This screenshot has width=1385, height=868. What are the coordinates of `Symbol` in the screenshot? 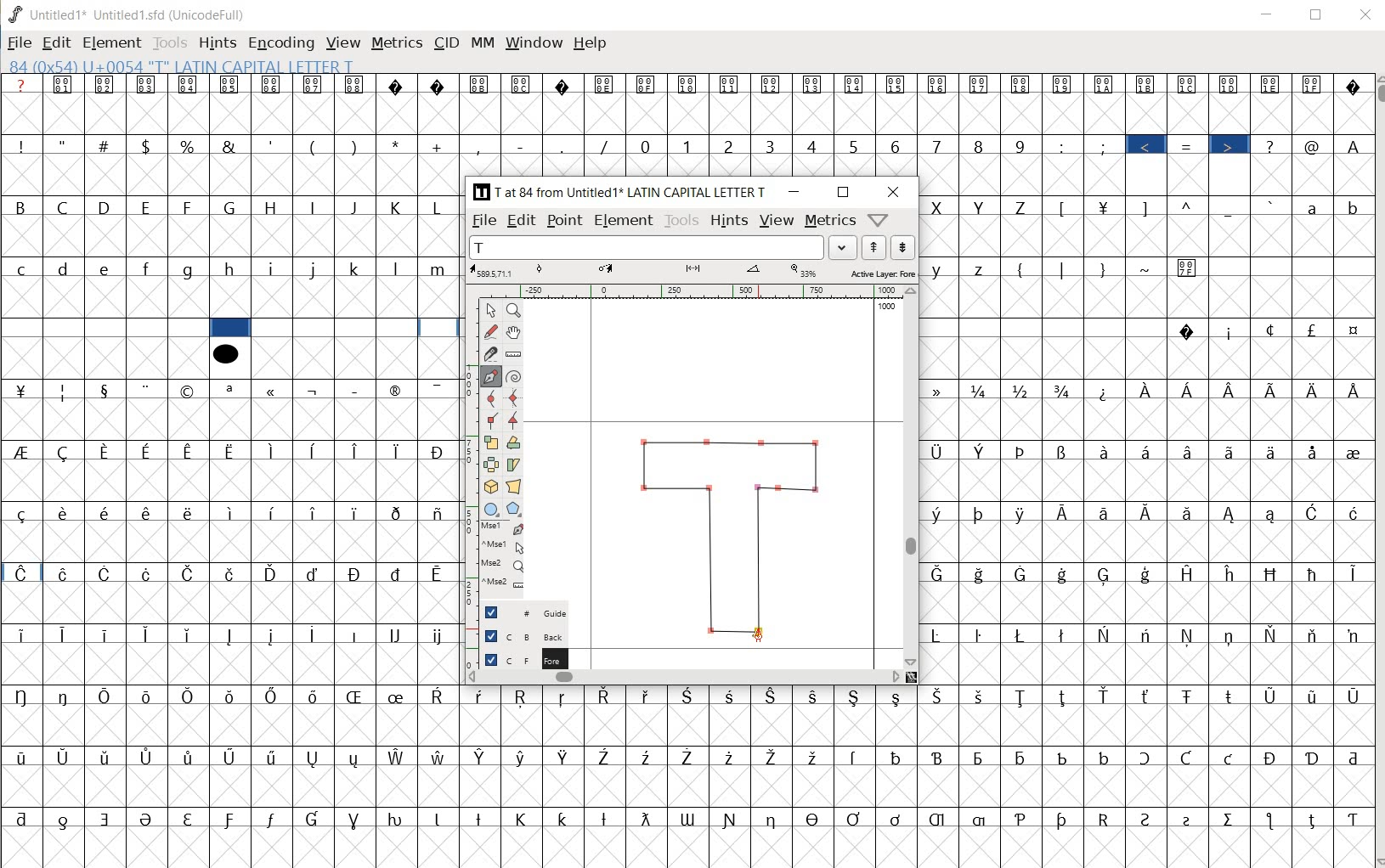 It's located at (1189, 268).